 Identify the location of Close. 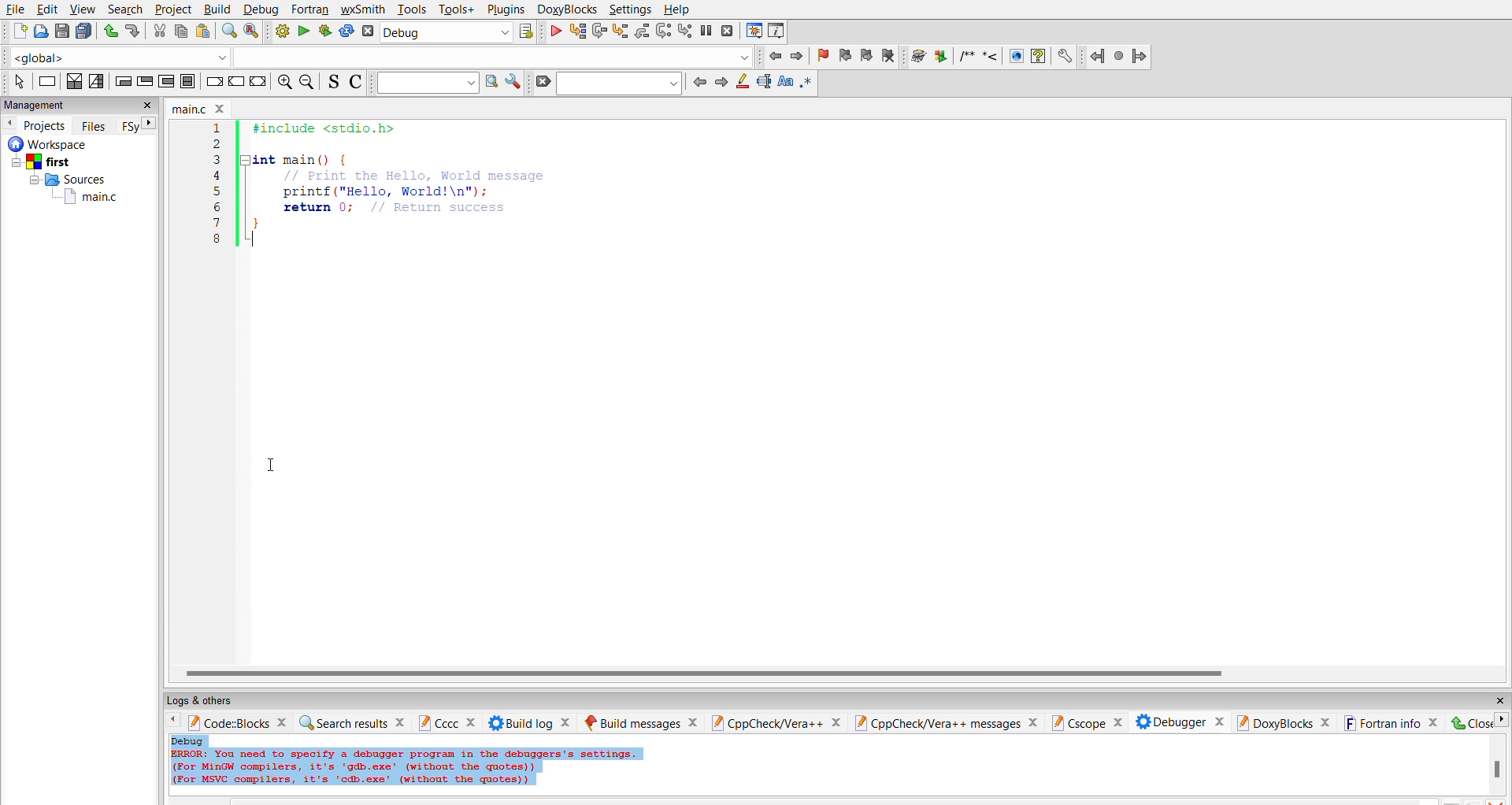
(1480, 723).